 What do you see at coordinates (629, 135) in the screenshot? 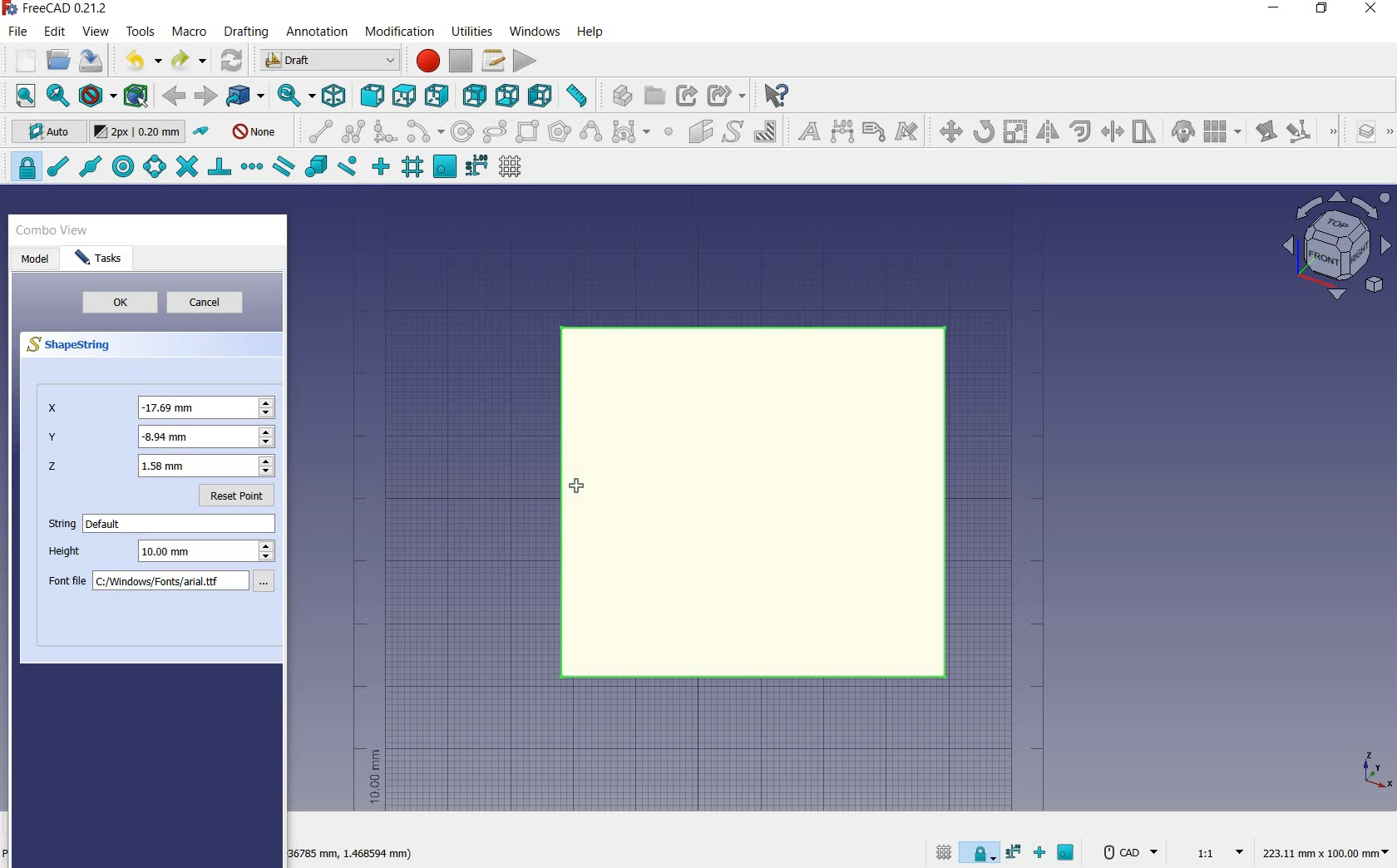
I see `Bezier tool` at bounding box center [629, 135].